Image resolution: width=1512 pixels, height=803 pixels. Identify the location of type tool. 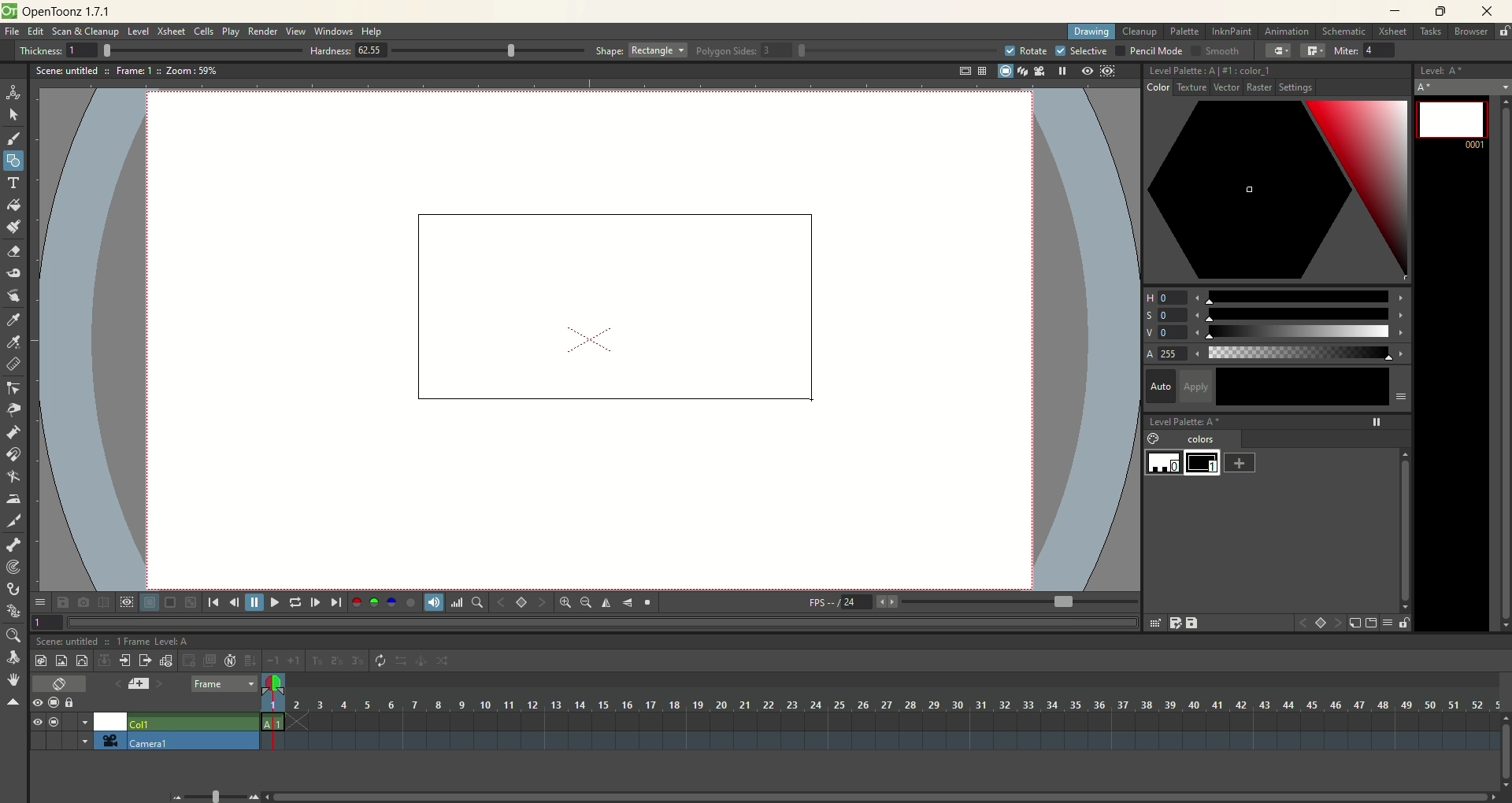
(15, 183).